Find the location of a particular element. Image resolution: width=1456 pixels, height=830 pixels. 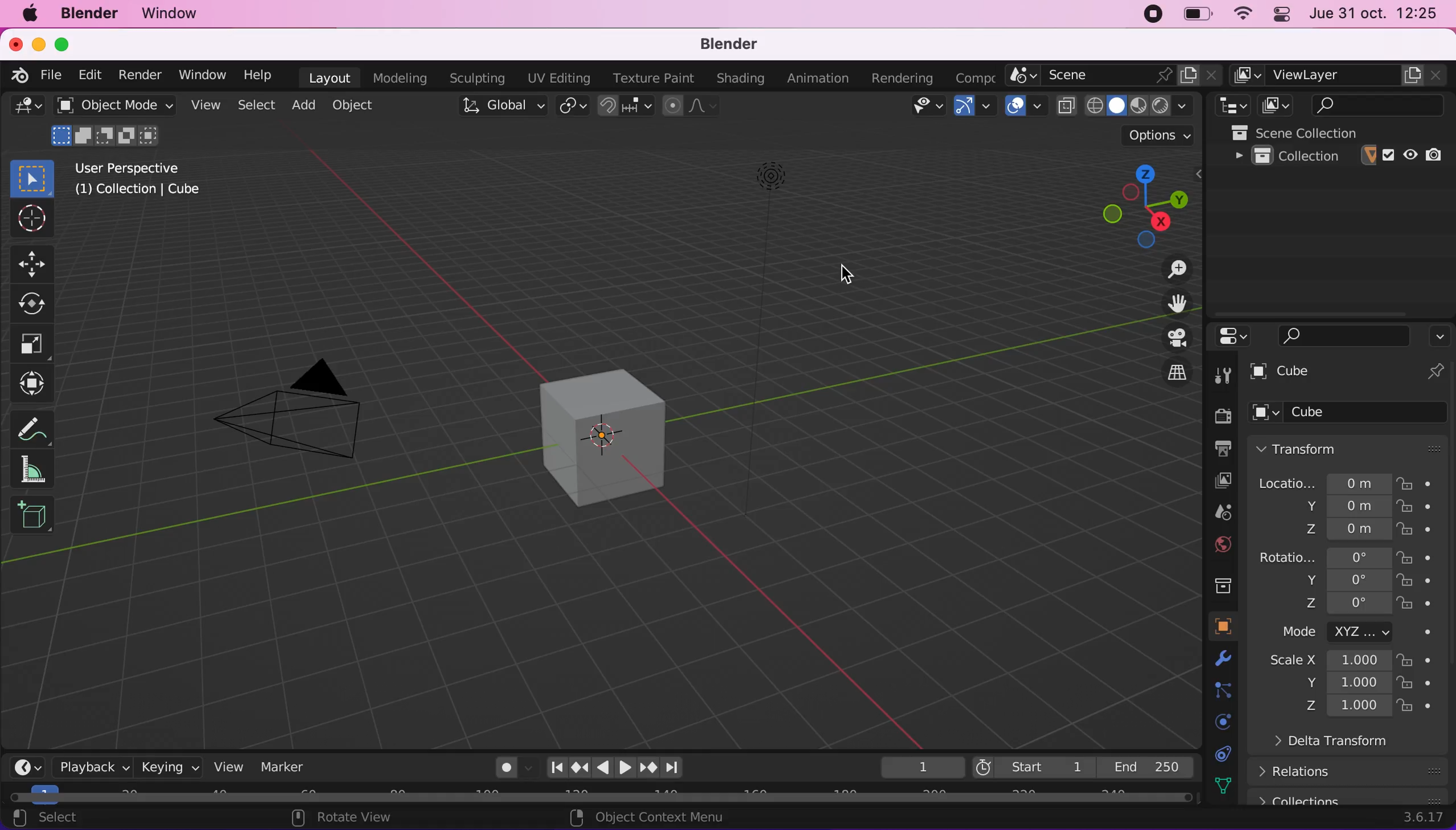

relations is located at coordinates (1354, 771).